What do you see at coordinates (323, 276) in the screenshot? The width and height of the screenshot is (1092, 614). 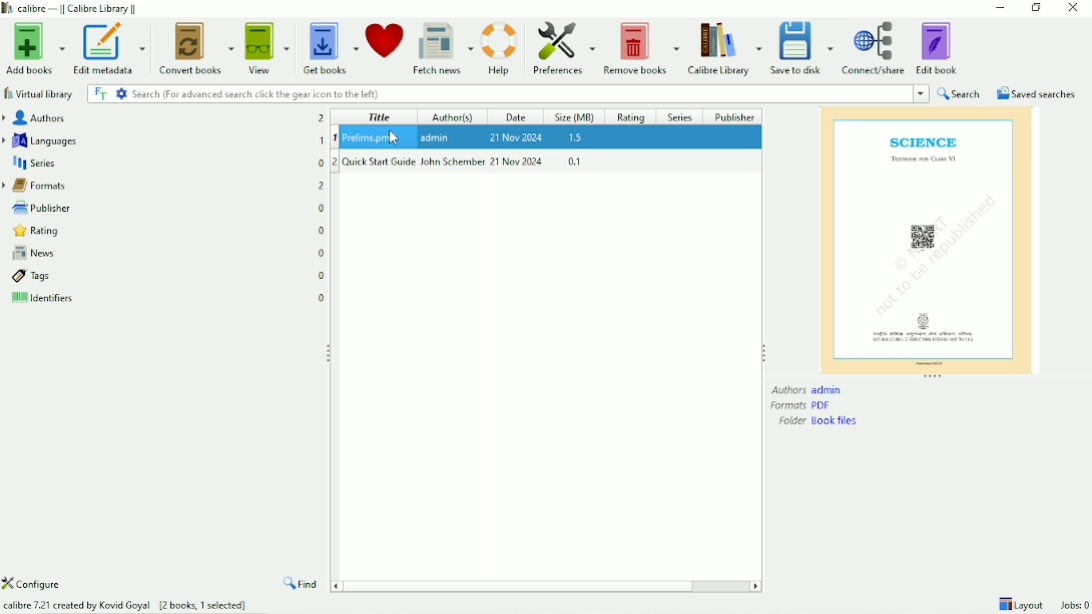 I see `0` at bounding box center [323, 276].